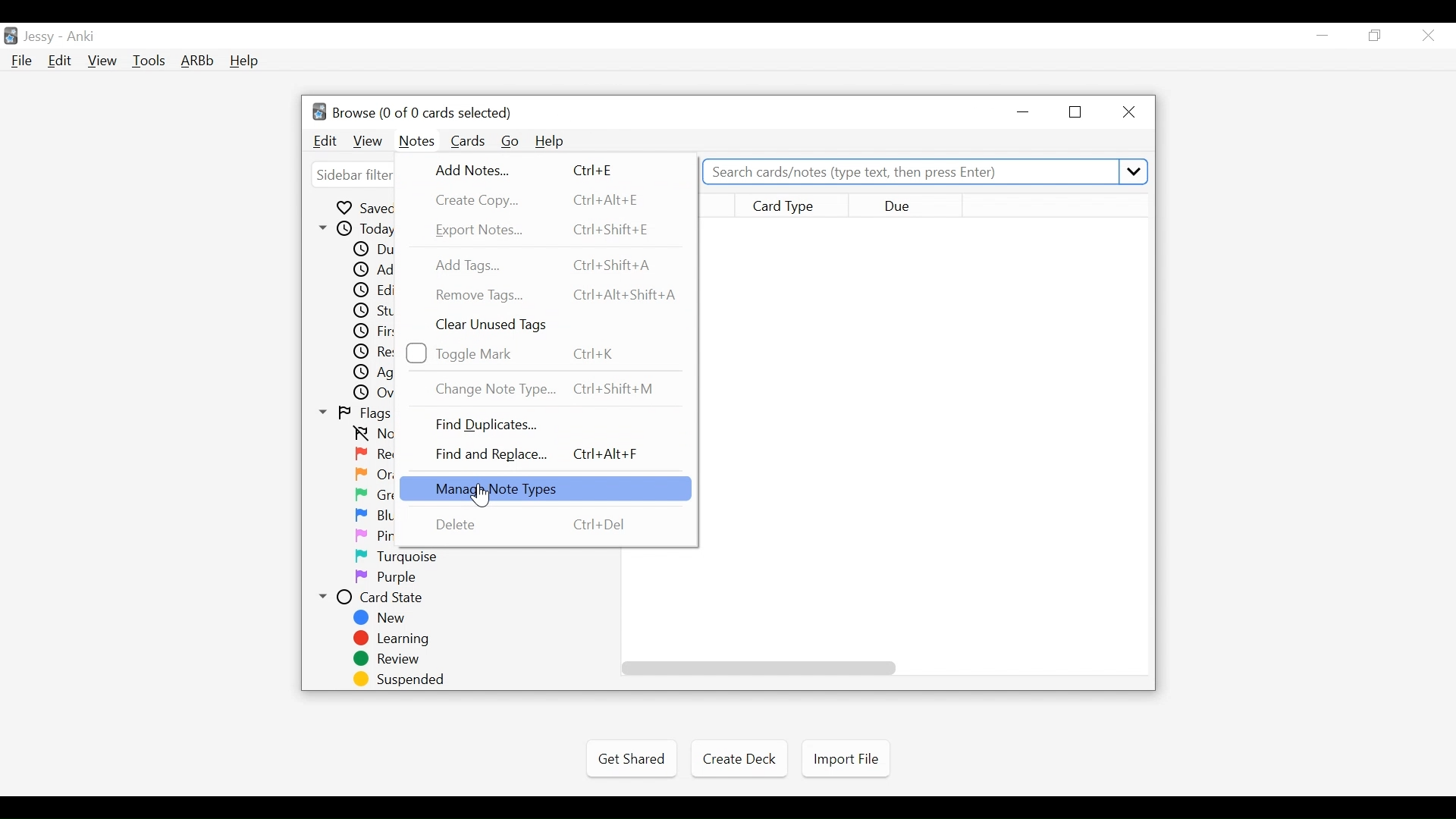  I want to click on Create Deck, so click(736, 758).